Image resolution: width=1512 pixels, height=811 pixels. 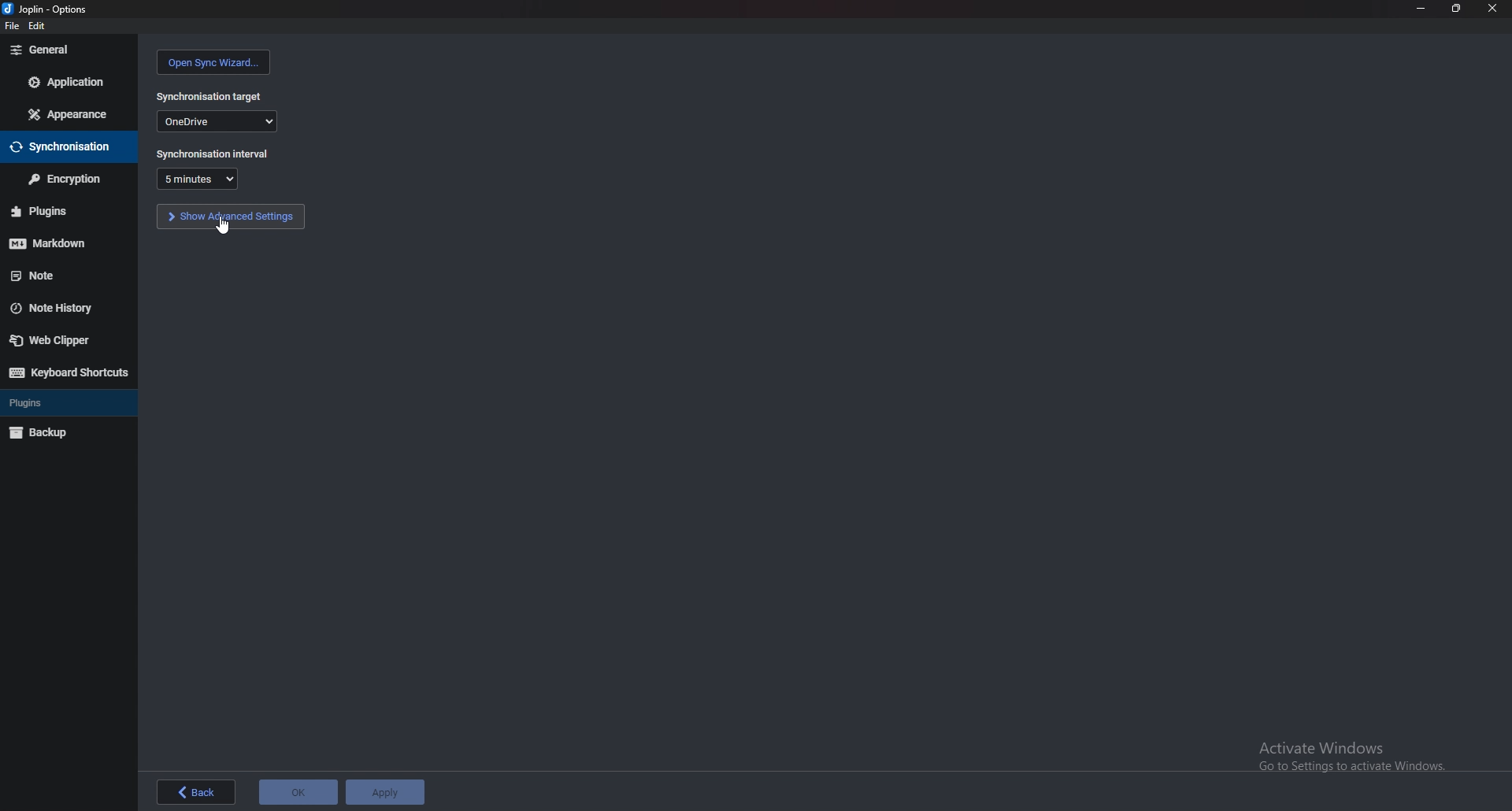 What do you see at coordinates (39, 27) in the screenshot?
I see `edit` at bounding box center [39, 27].